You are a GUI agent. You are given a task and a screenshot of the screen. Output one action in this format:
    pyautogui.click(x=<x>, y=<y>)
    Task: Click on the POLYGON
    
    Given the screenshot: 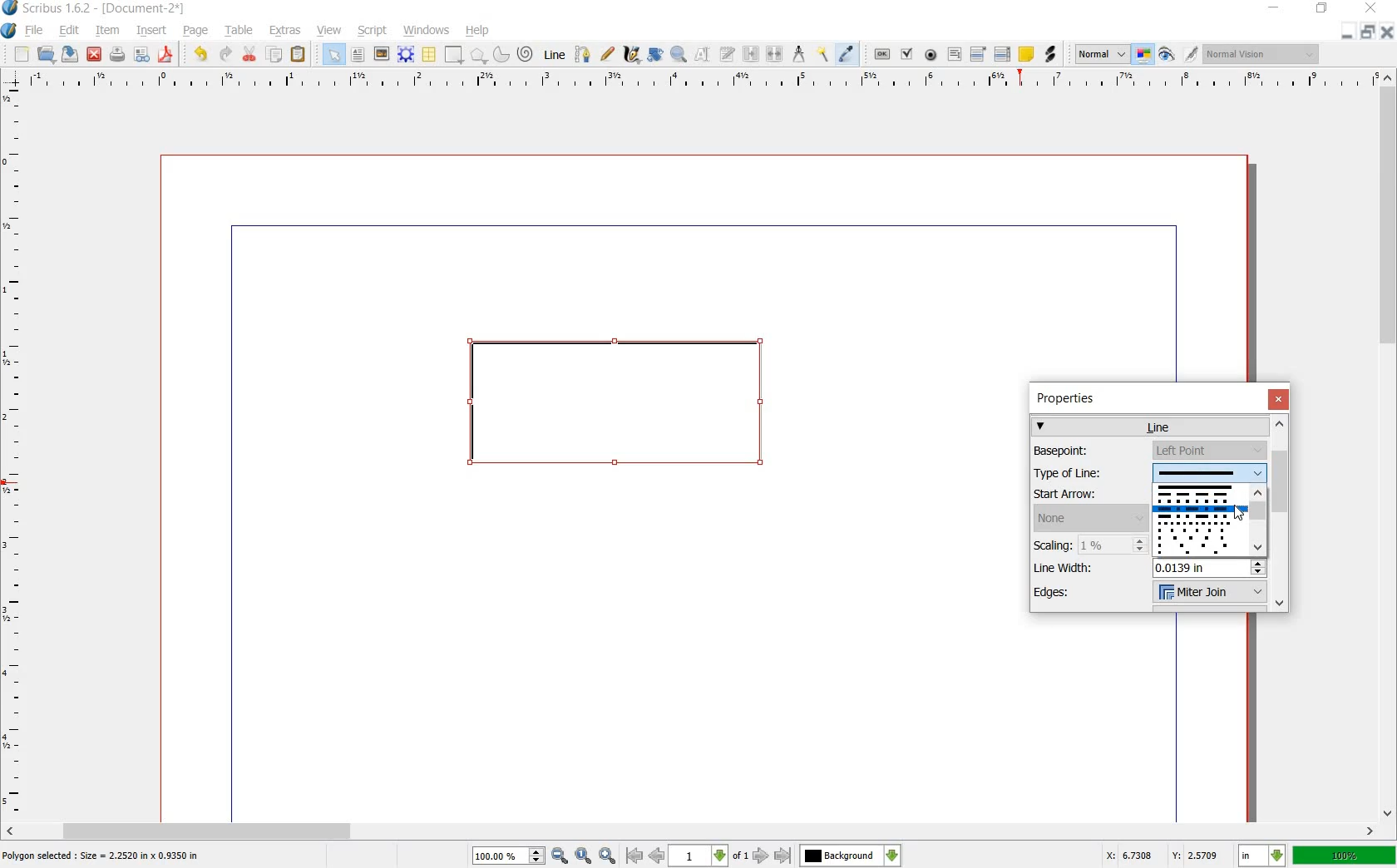 What is the action you would take?
    pyautogui.click(x=479, y=57)
    